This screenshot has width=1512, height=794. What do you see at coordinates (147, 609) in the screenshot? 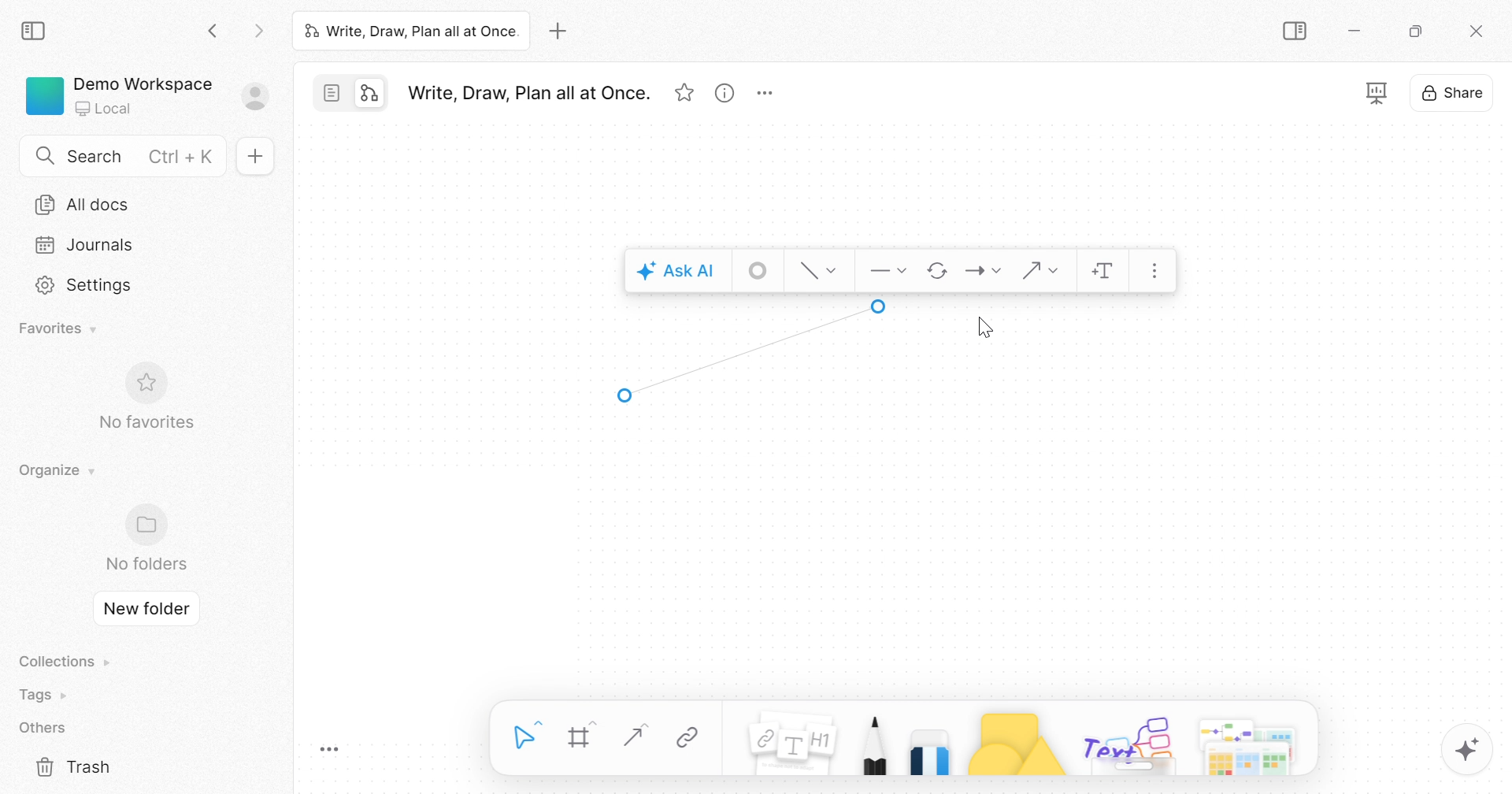
I see `New folder` at bounding box center [147, 609].